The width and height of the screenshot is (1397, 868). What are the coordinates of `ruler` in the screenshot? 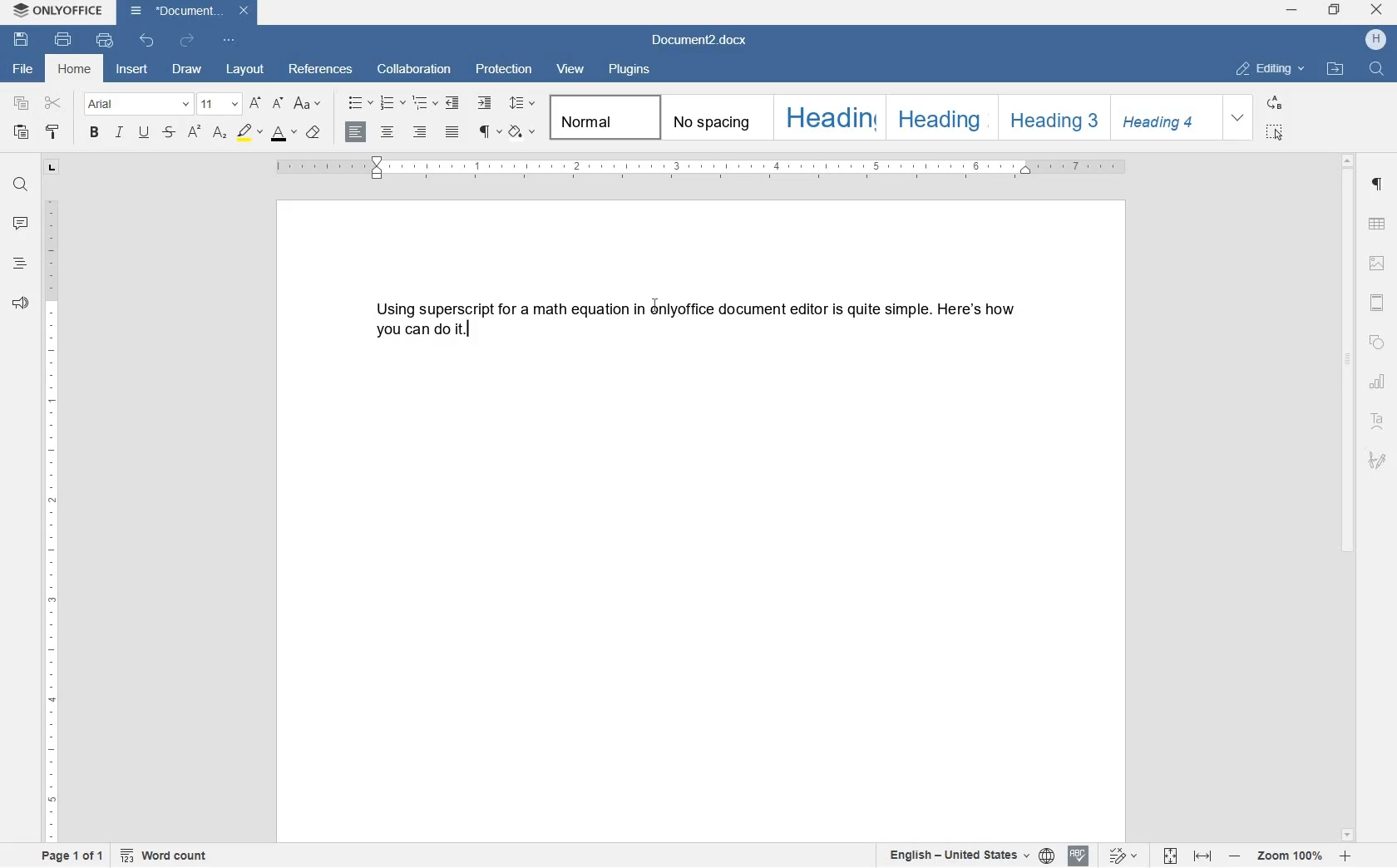 It's located at (702, 167).